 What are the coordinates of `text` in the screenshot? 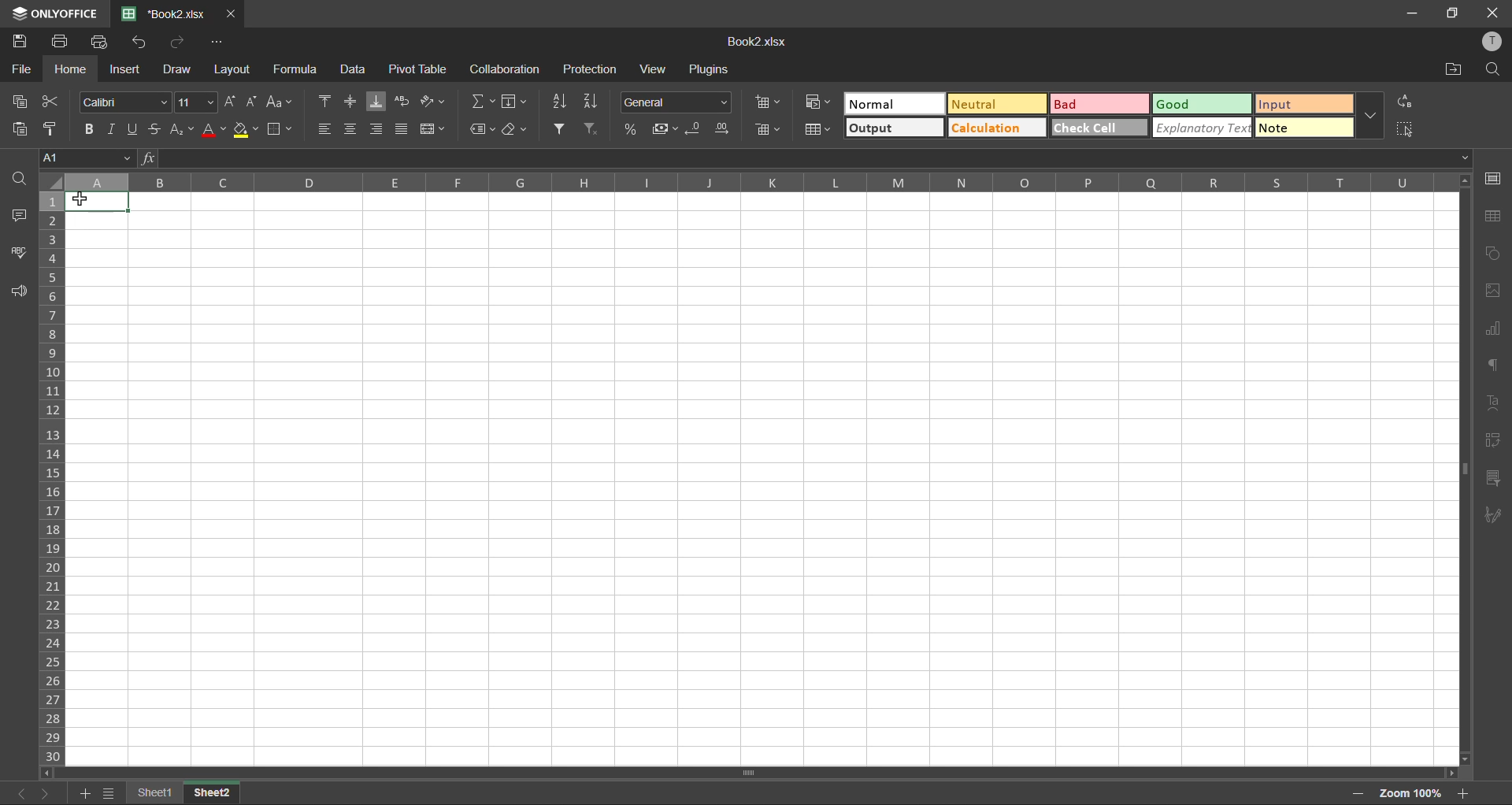 It's located at (1492, 402).